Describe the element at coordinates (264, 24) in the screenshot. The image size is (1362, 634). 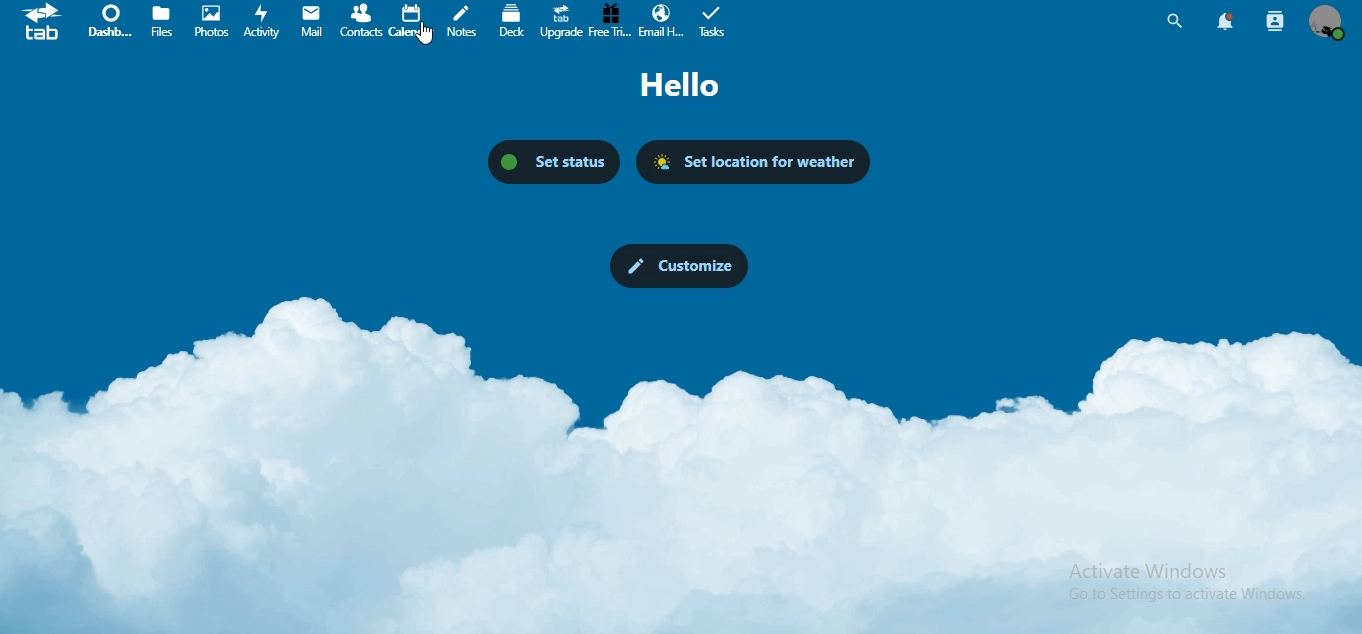
I see `activity` at that location.